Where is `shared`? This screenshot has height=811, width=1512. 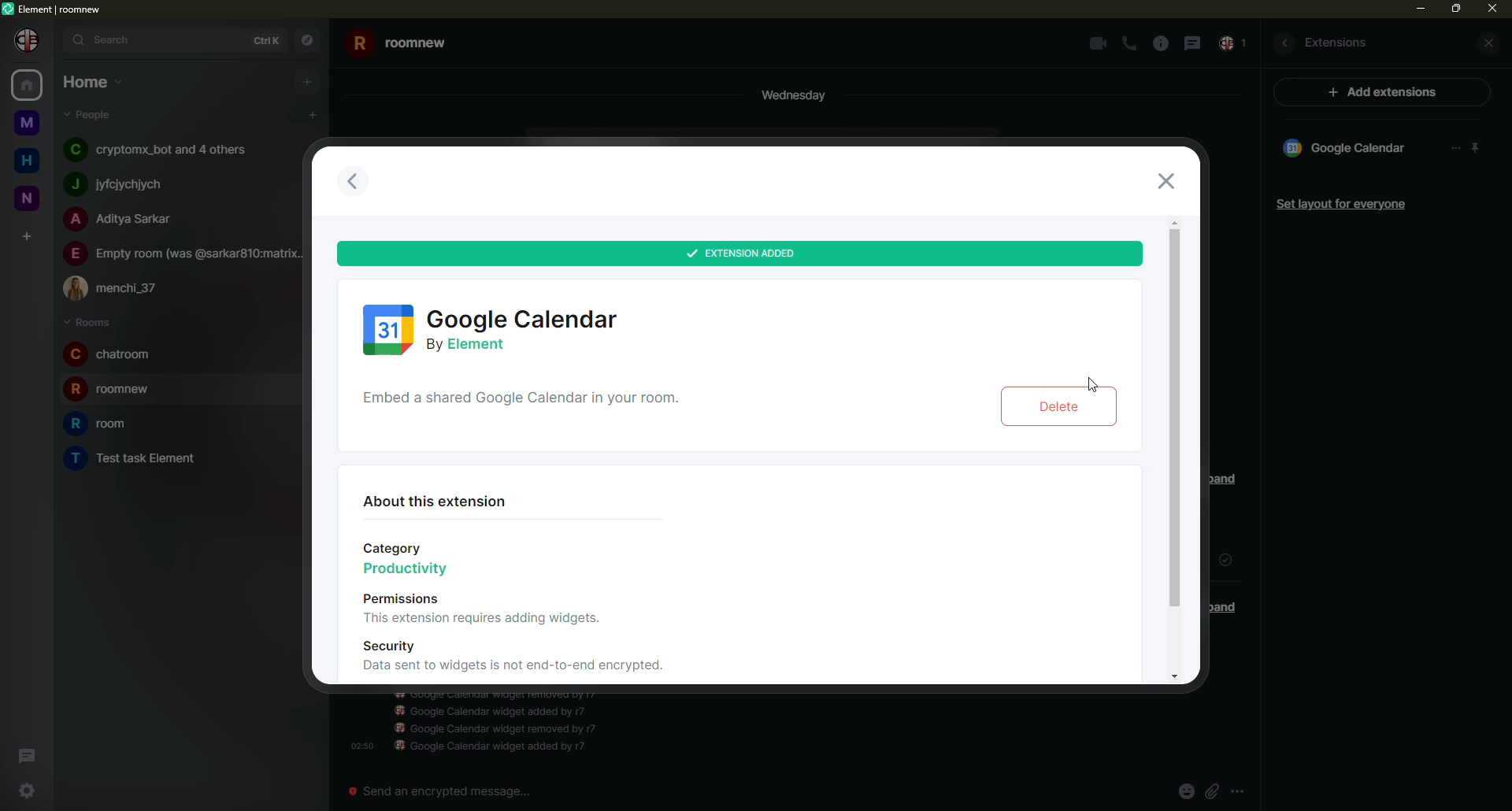 shared is located at coordinates (537, 397).